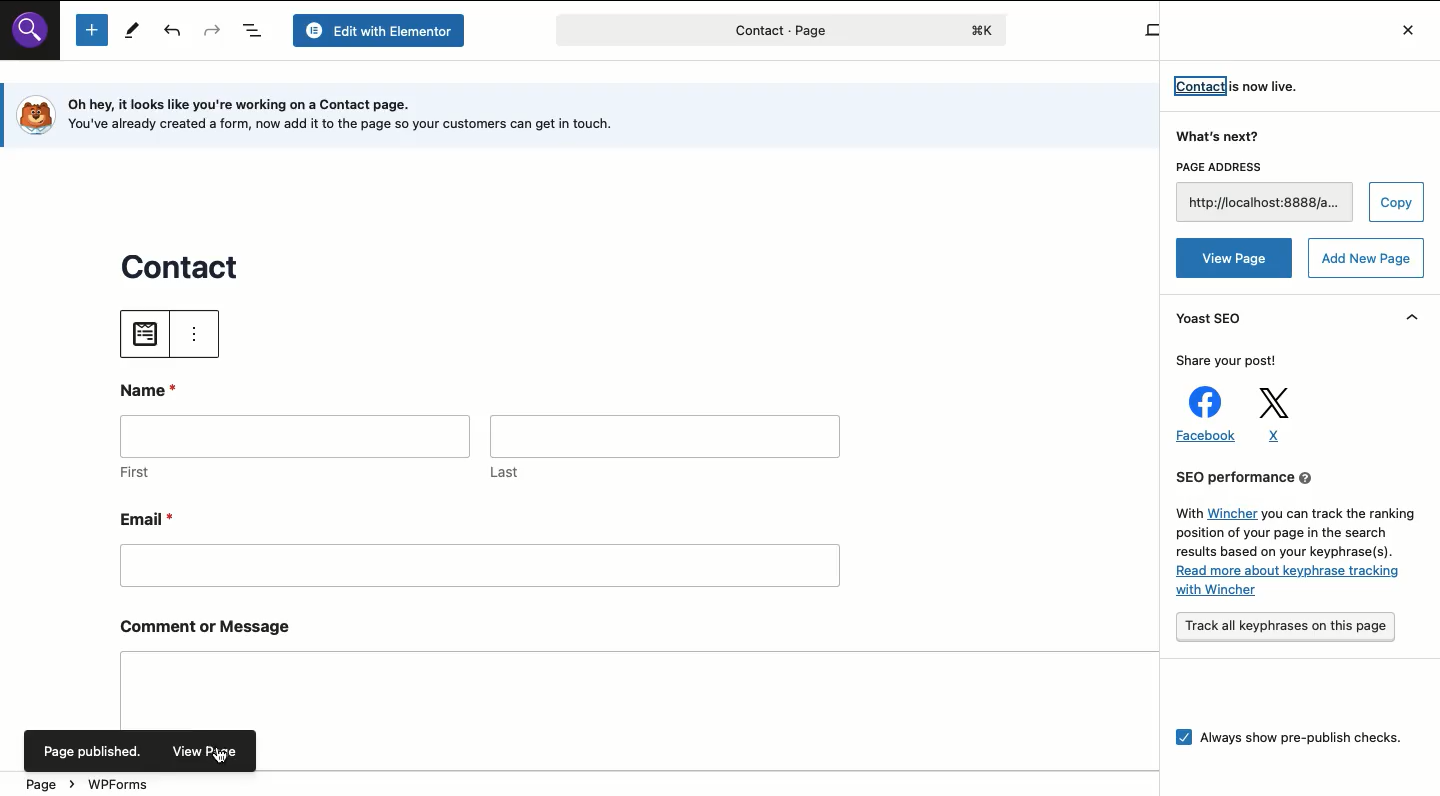 This screenshot has width=1440, height=796. I want to click on Document overview, so click(255, 31).